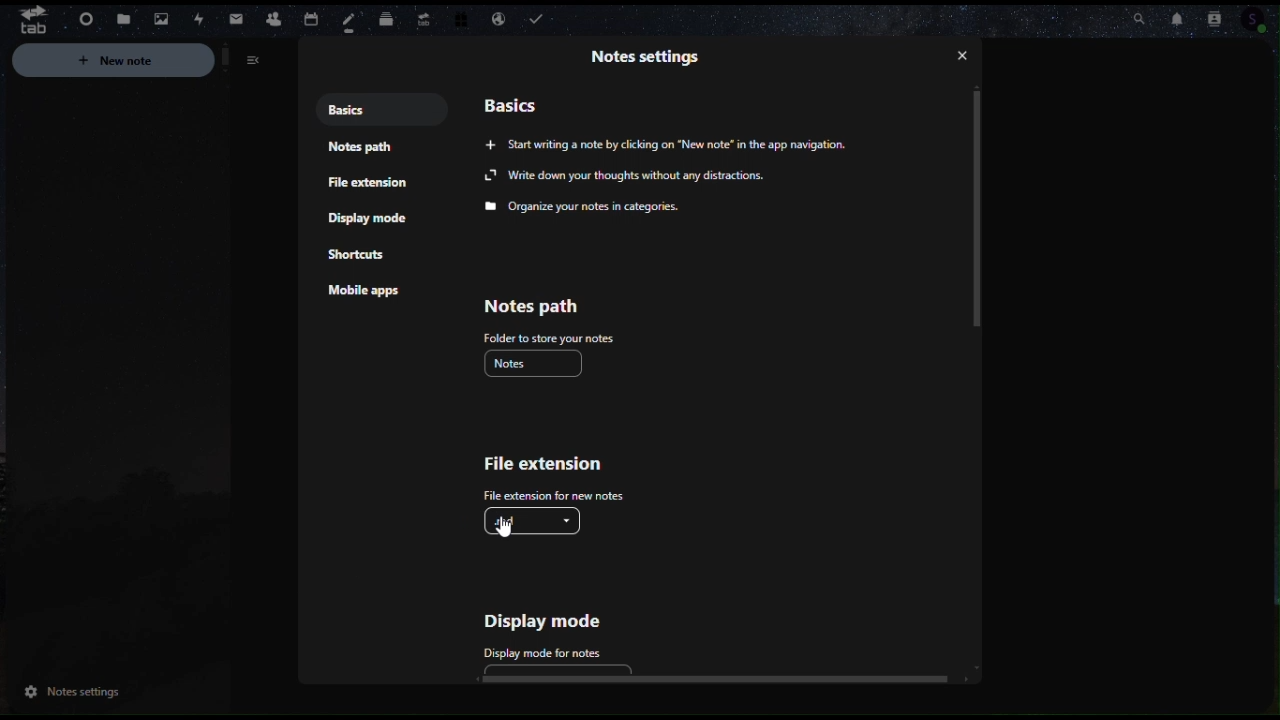 This screenshot has height=720, width=1280. I want to click on Writing a note, so click(687, 146).